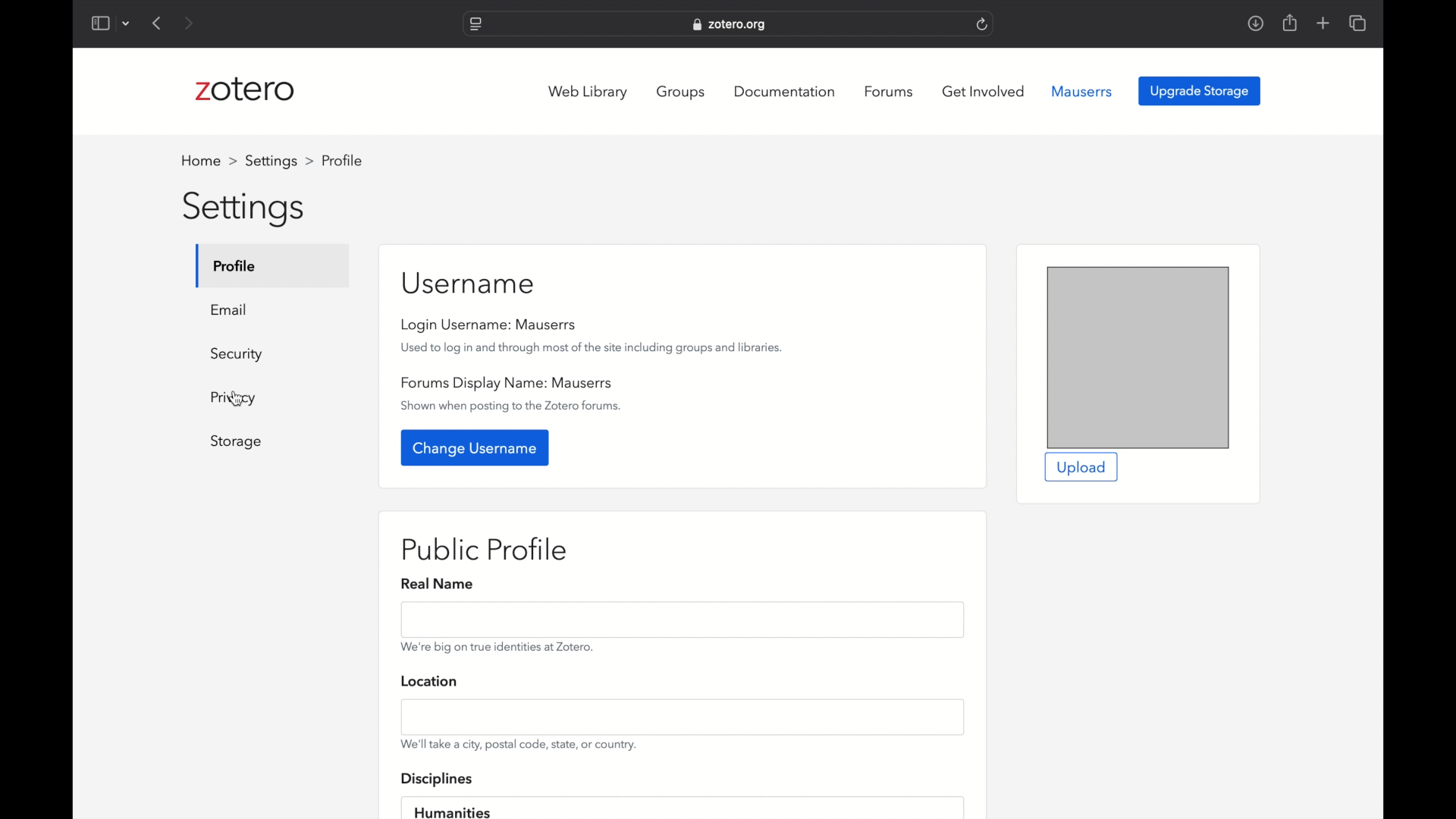 The width and height of the screenshot is (1456, 819). I want to click on storage, so click(237, 442).